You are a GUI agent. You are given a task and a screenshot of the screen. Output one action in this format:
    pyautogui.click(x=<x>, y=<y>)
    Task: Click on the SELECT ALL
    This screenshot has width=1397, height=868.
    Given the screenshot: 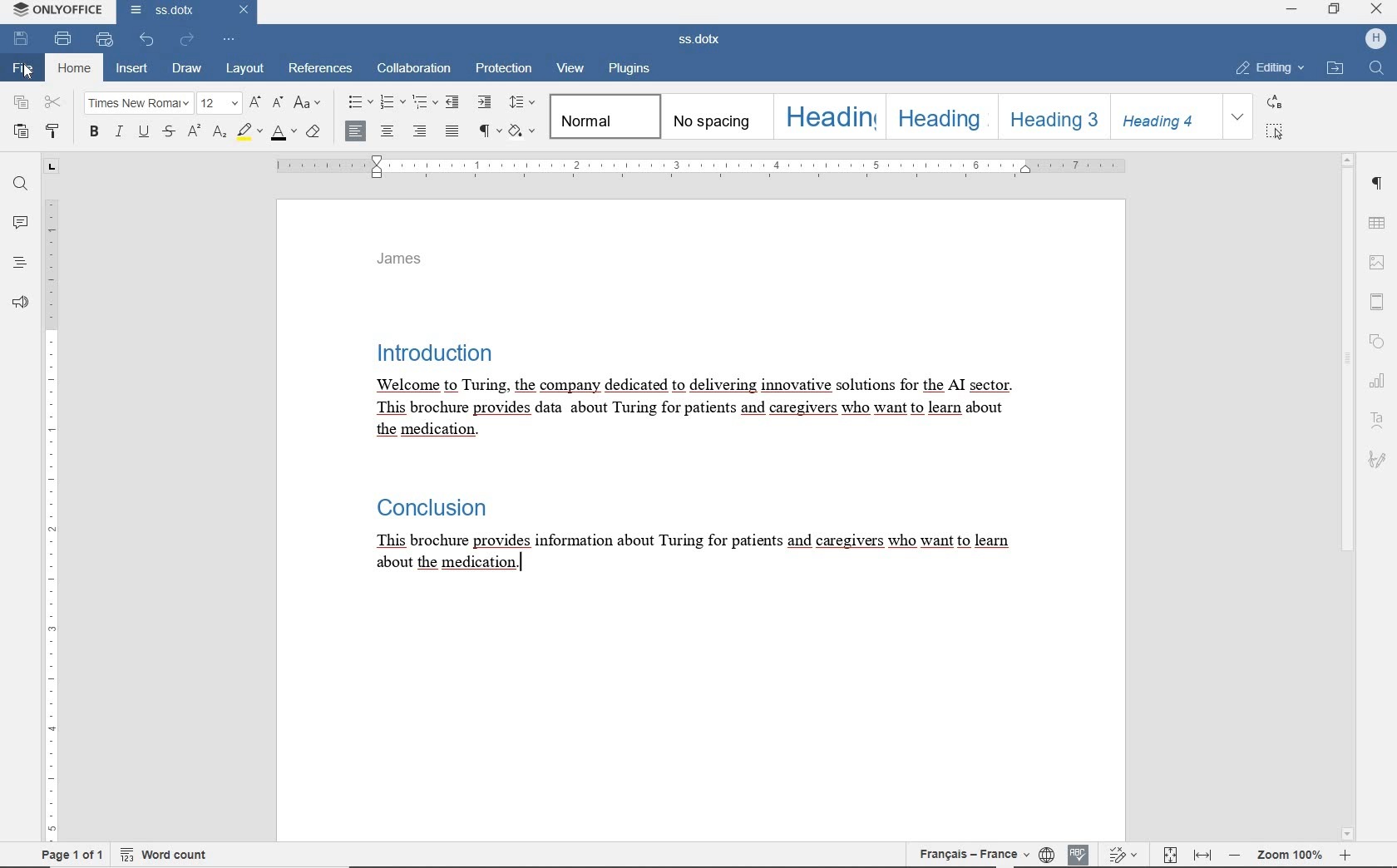 What is the action you would take?
    pyautogui.click(x=1275, y=131)
    